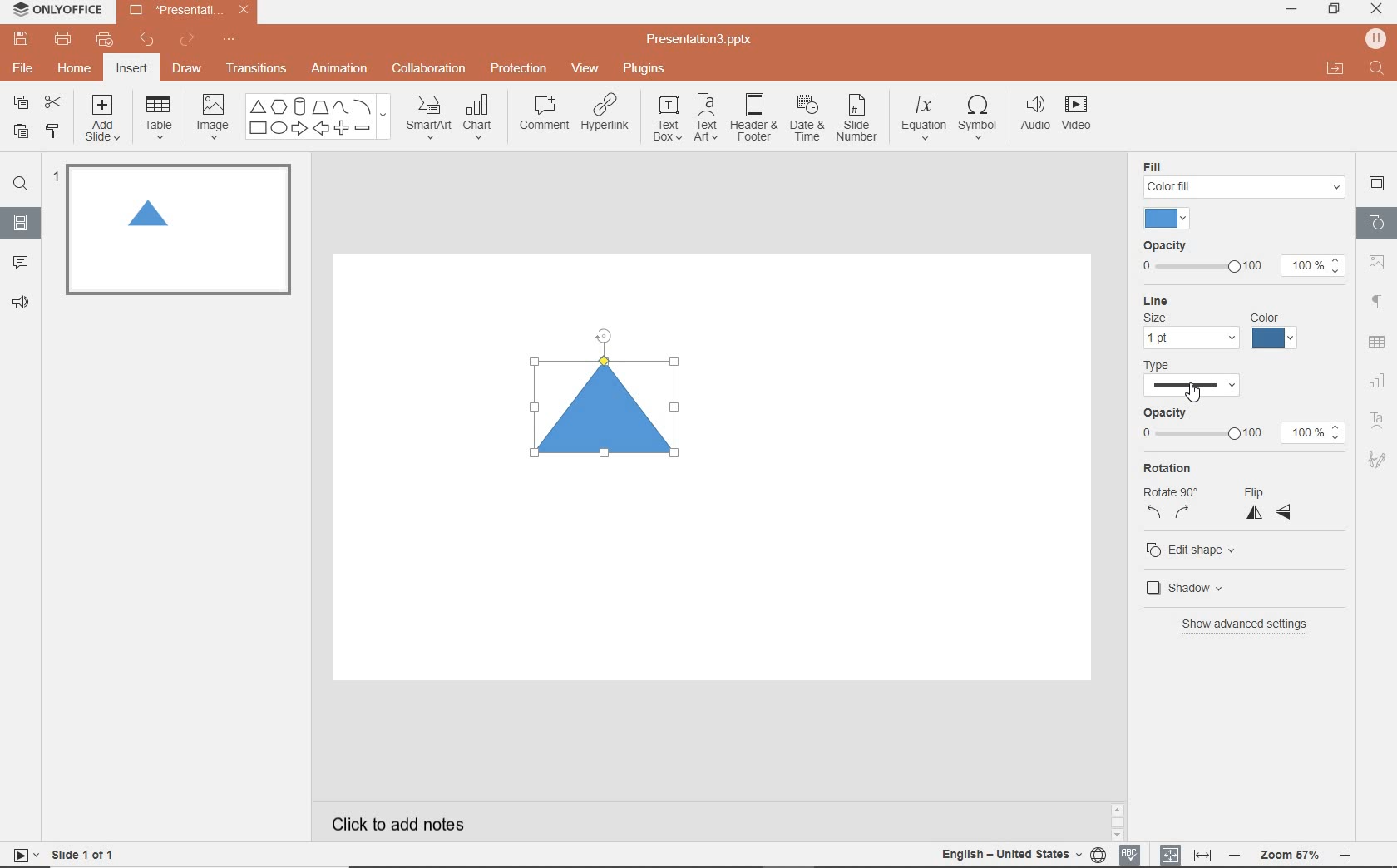 This screenshot has height=868, width=1397. Describe the element at coordinates (1082, 116) in the screenshot. I see `VIDEO` at that location.